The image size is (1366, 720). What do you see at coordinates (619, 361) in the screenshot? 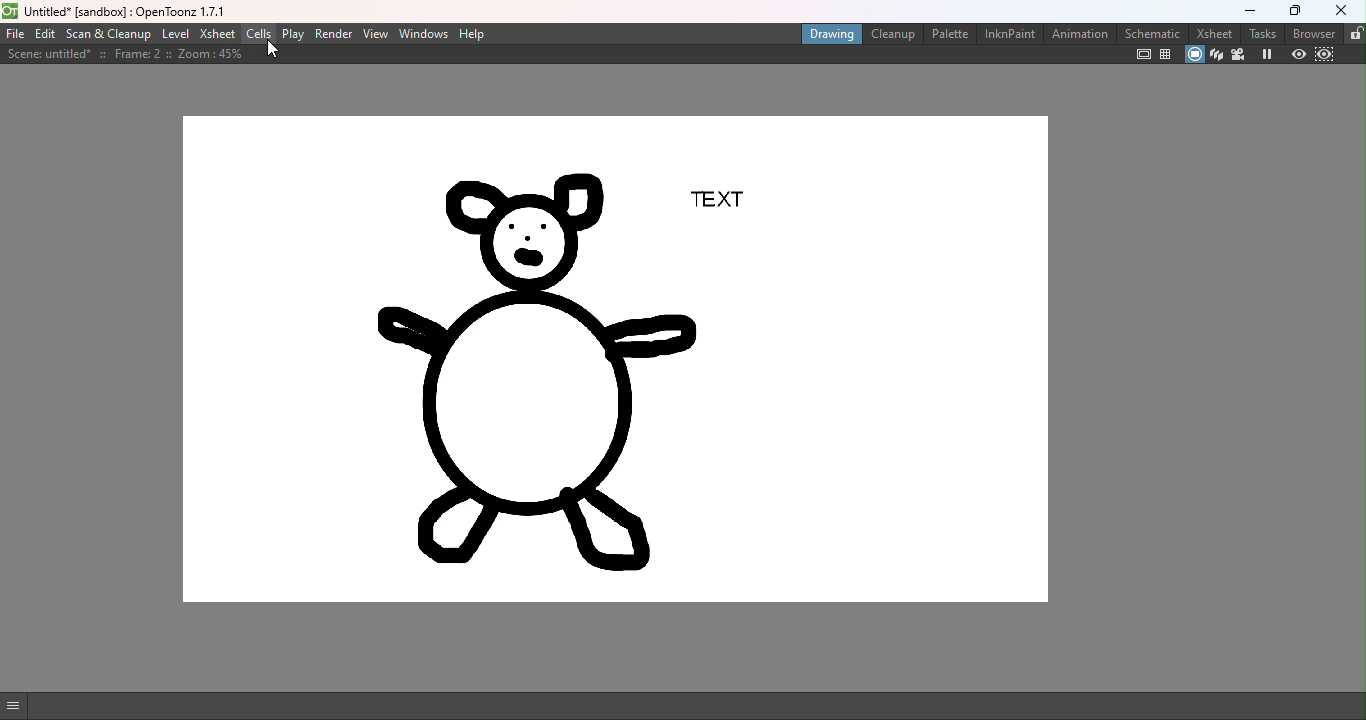
I see `Canvas` at bounding box center [619, 361].